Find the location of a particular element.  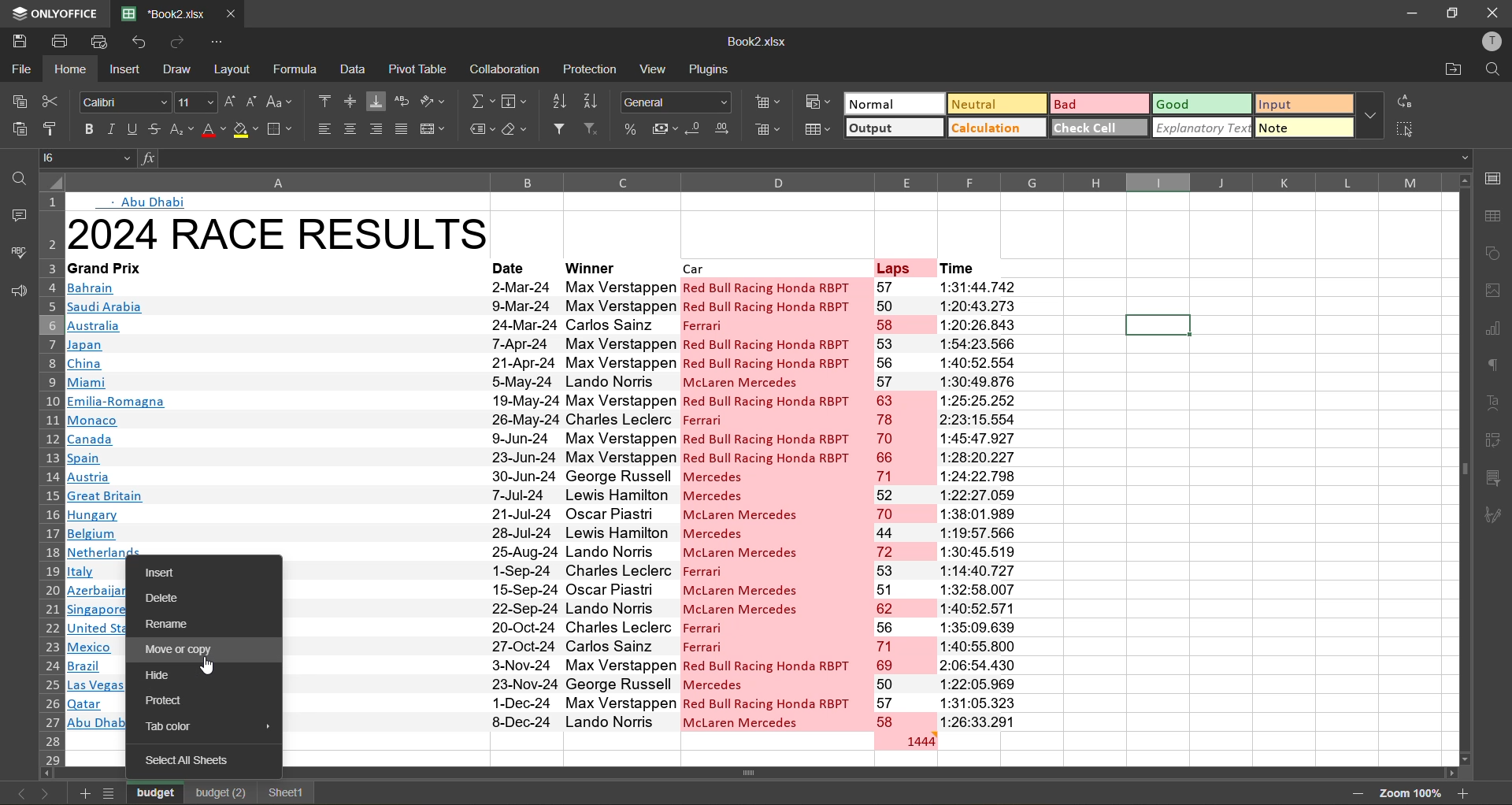

quick print is located at coordinates (101, 40).